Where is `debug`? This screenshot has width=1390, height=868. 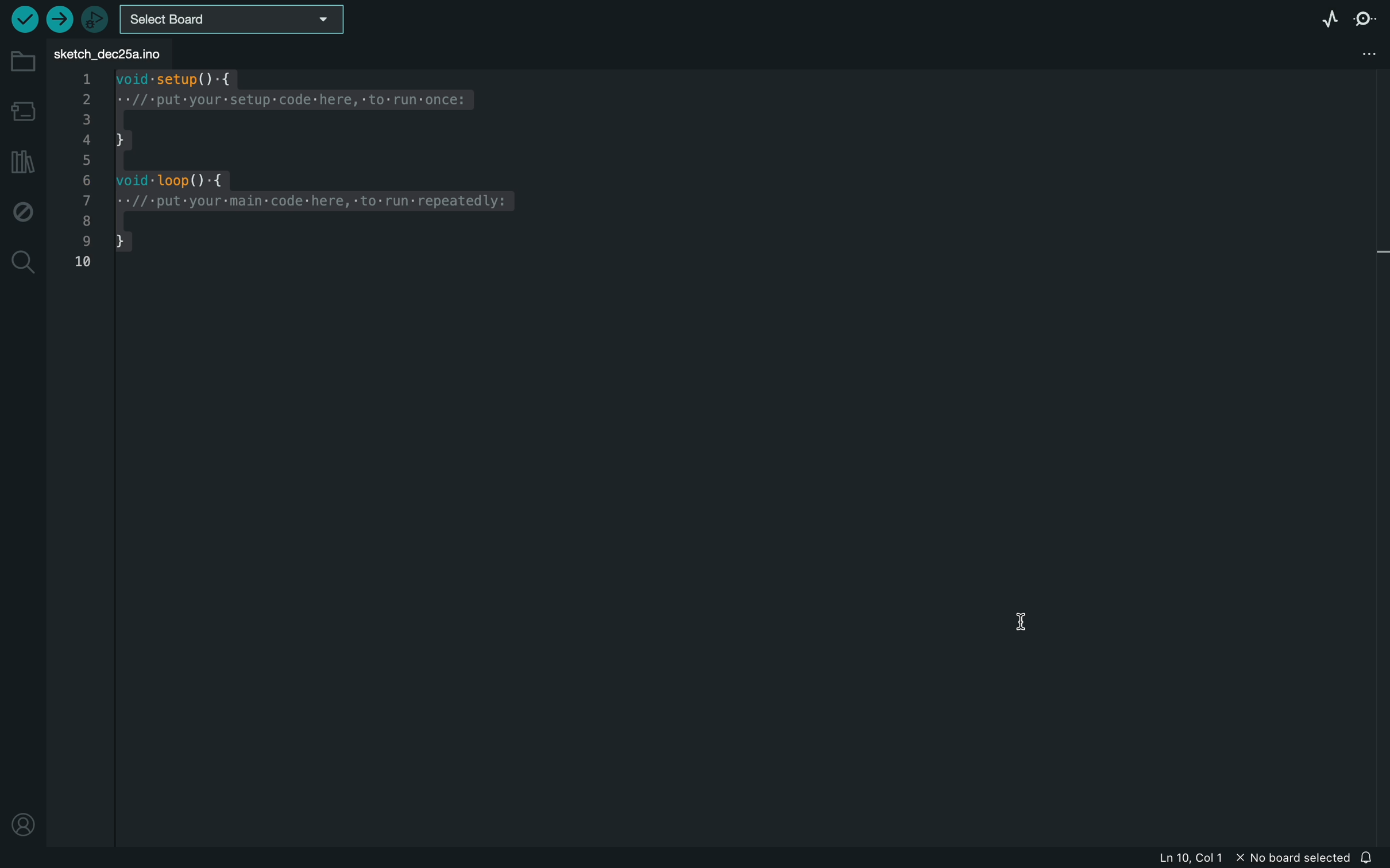 debug is located at coordinates (21, 214).